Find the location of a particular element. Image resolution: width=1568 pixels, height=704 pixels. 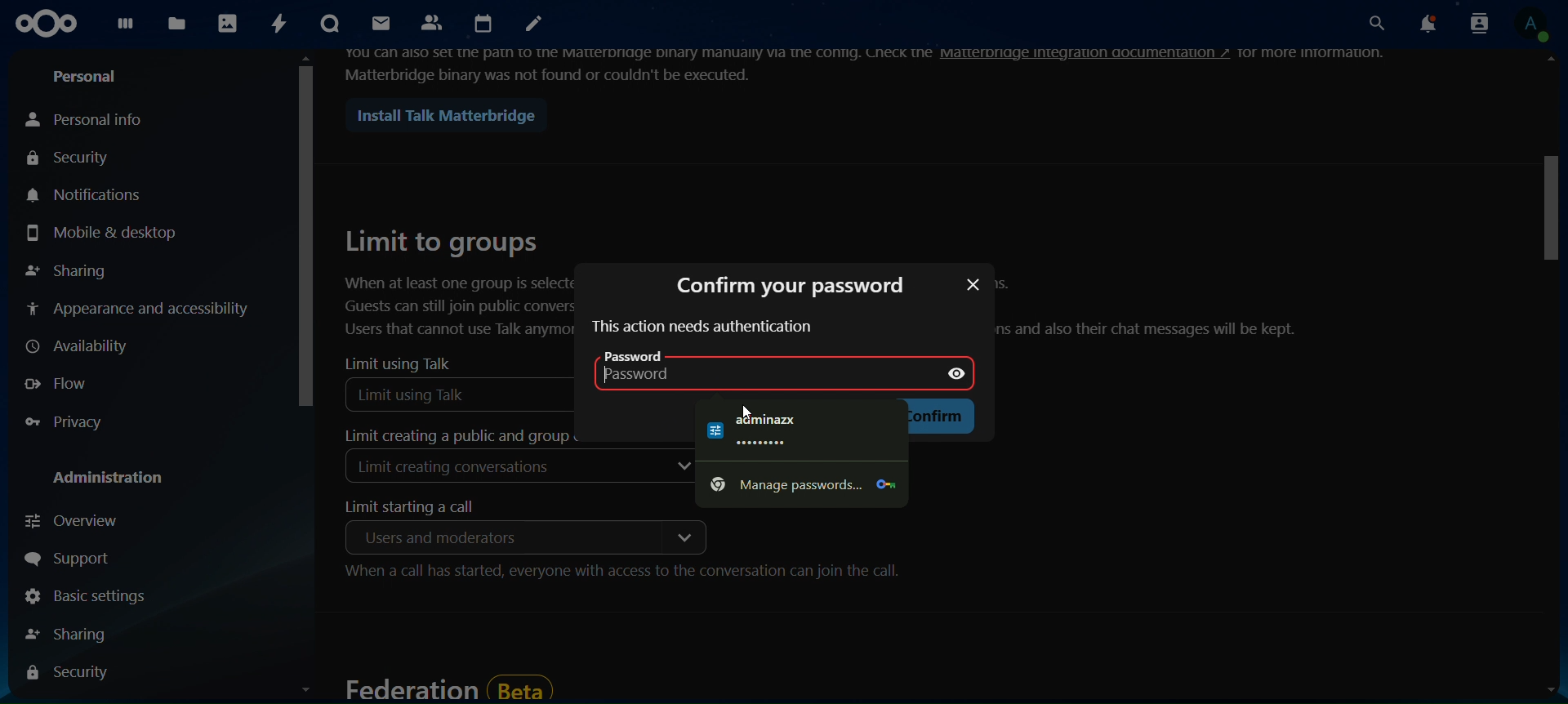

sharing is located at coordinates (75, 634).